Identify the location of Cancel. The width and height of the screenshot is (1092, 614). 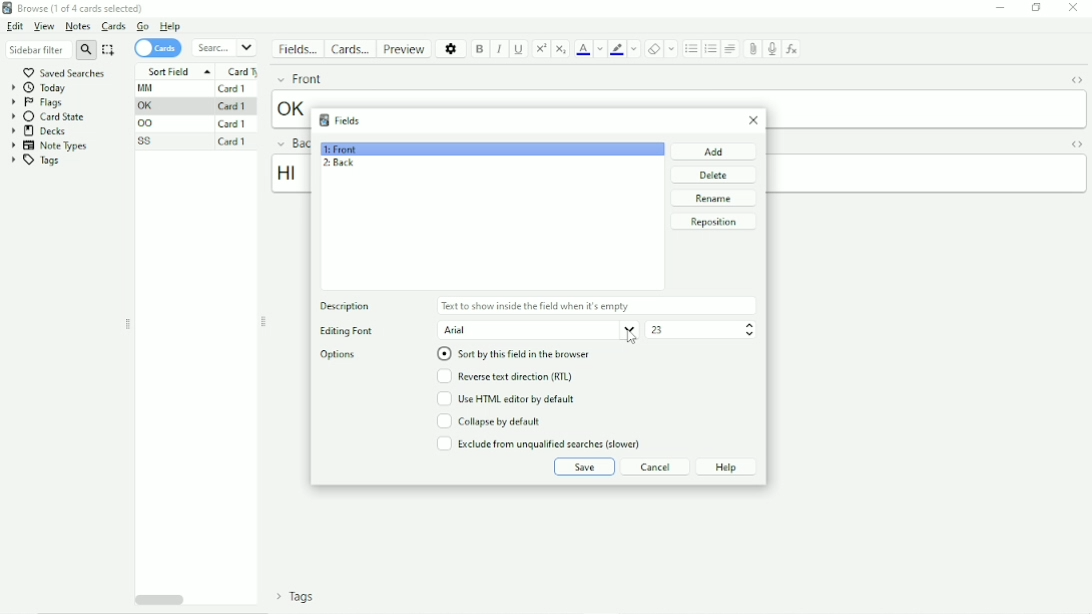
(657, 466).